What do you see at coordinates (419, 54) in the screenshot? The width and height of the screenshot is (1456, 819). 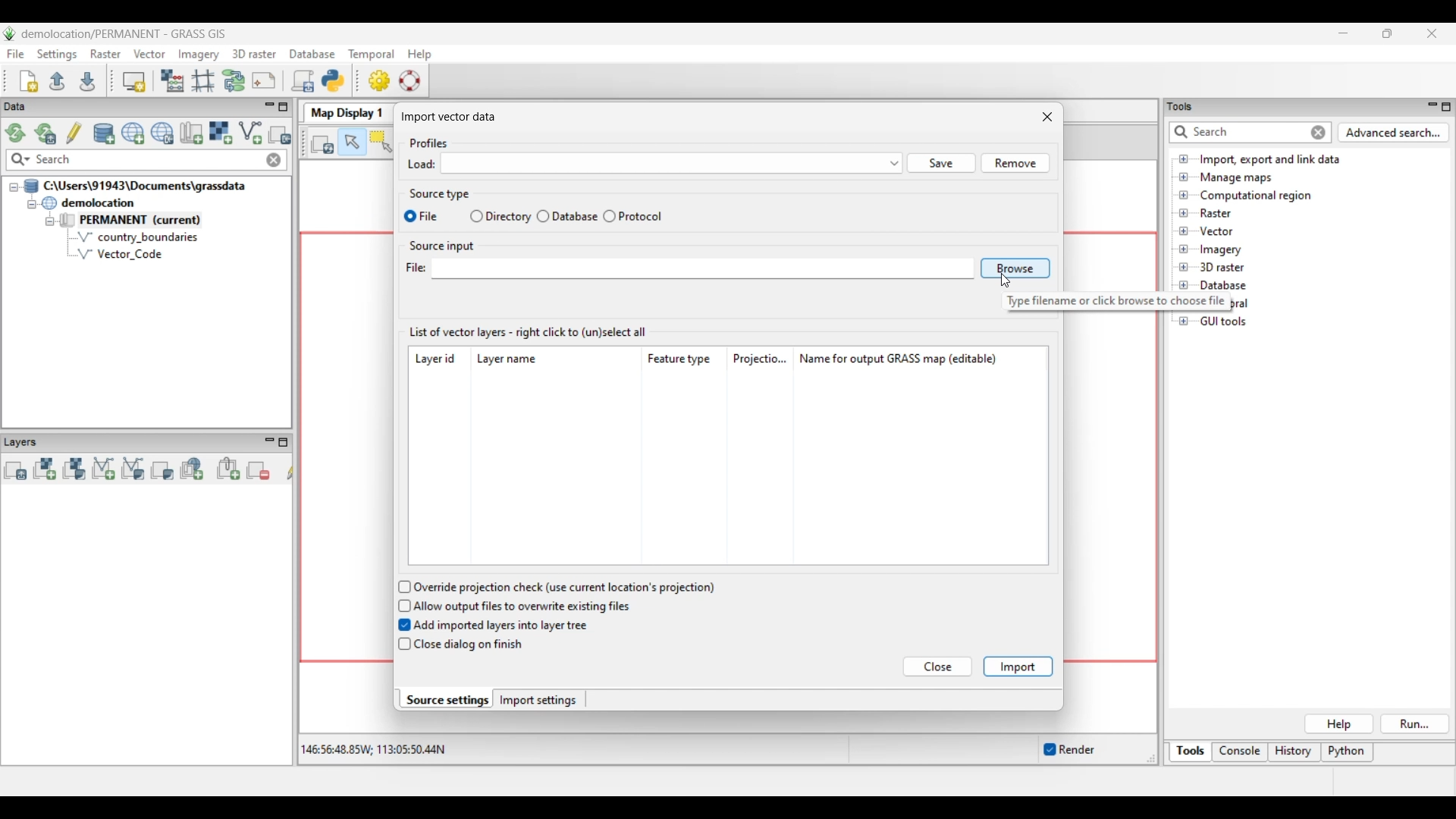 I see `Help menu` at bounding box center [419, 54].